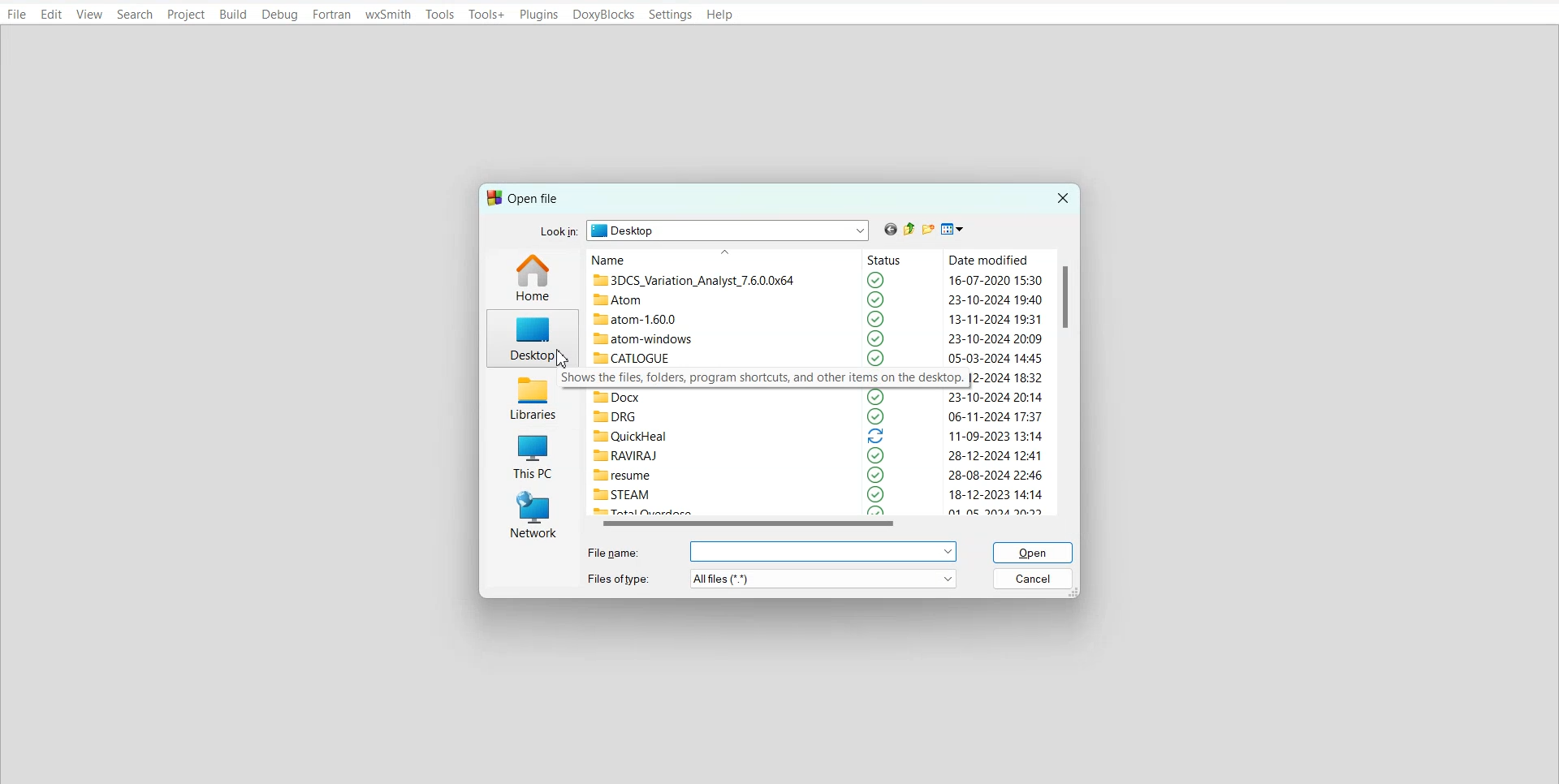 This screenshot has height=784, width=1559. I want to click on 28-12-2024 12:41, so click(993, 456).